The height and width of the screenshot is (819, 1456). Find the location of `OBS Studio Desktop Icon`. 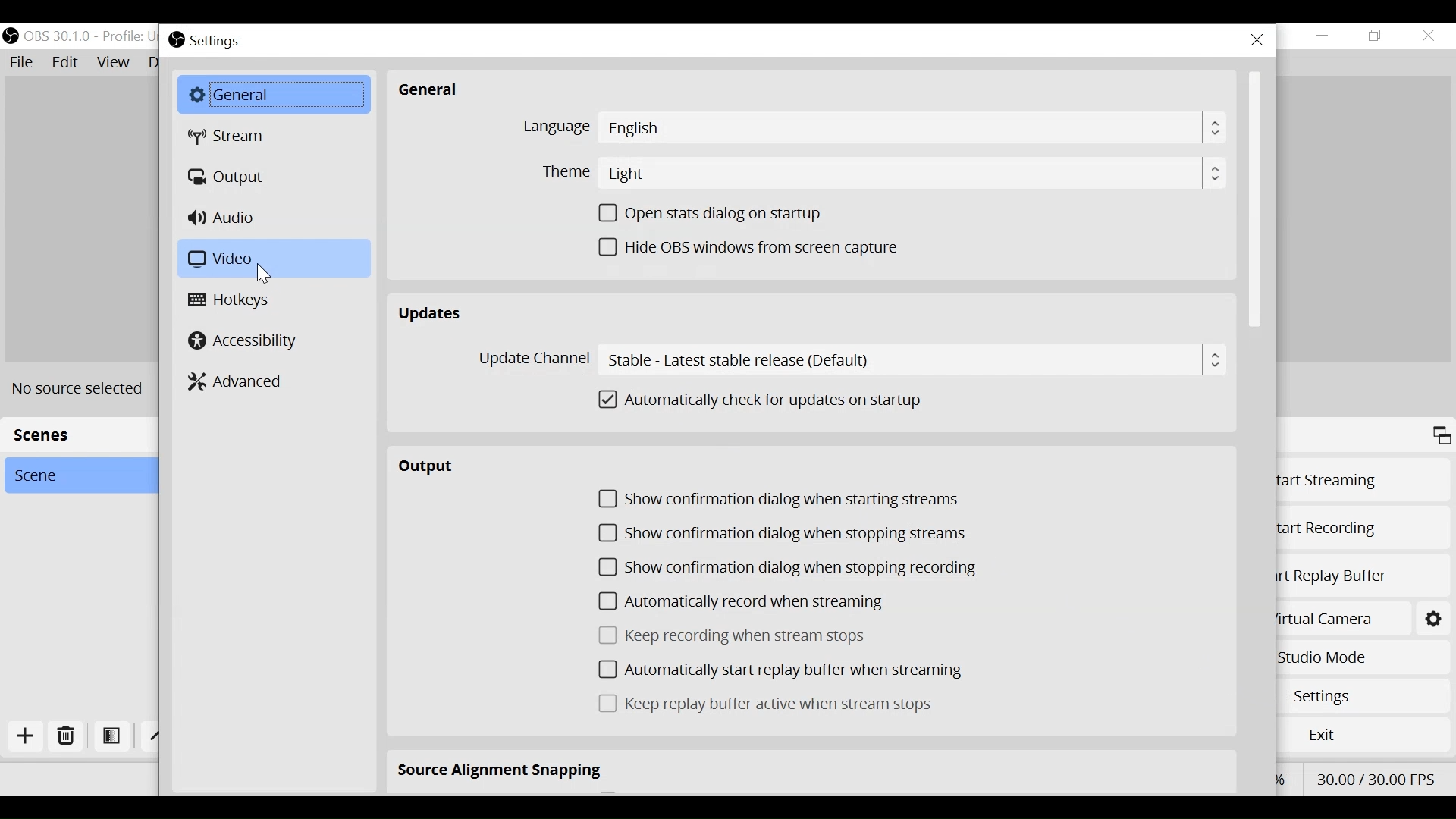

OBS Studio Desktop Icon is located at coordinates (175, 40).